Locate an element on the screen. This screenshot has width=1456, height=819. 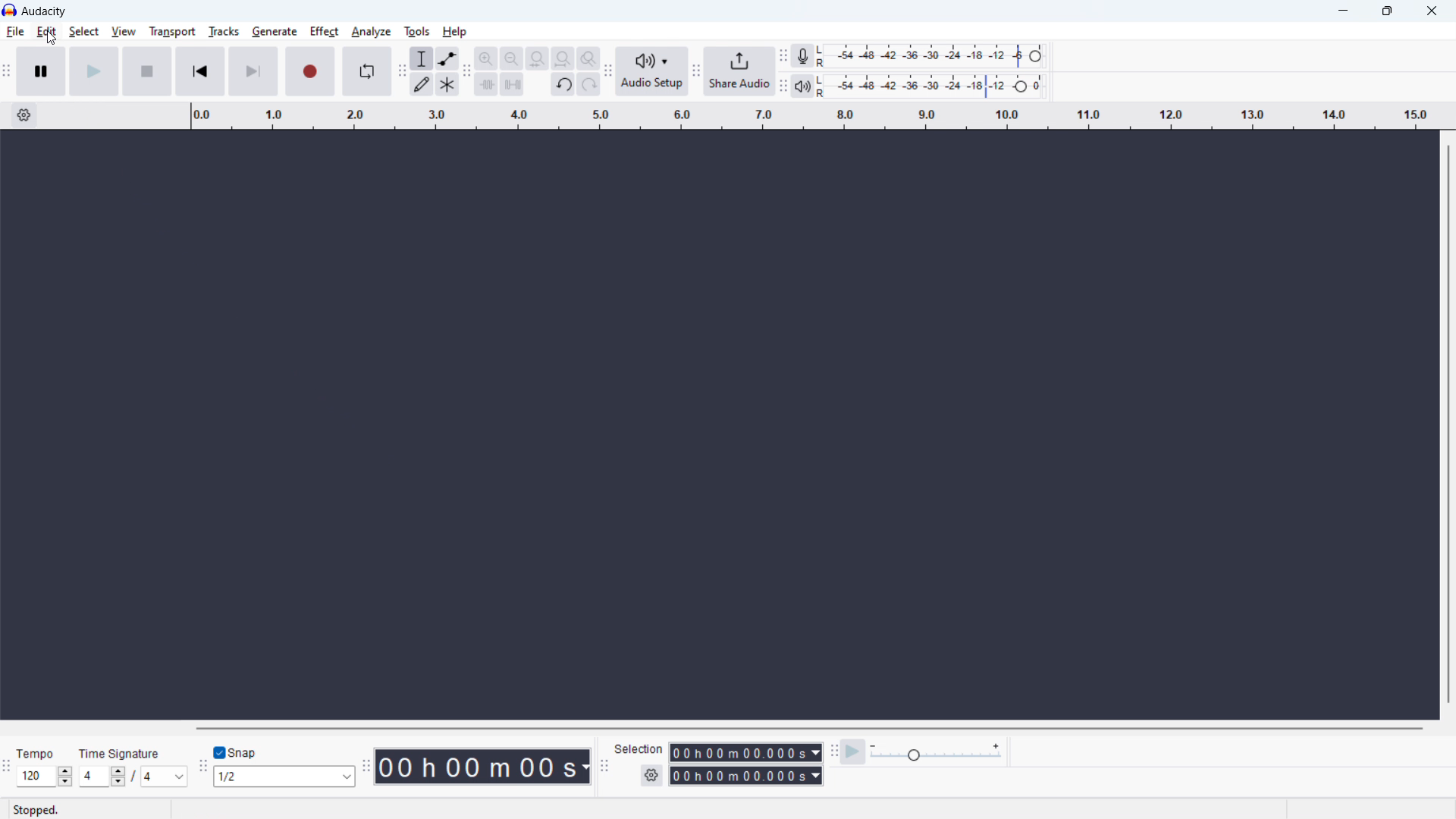
selection settings is located at coordinates (651, 776).